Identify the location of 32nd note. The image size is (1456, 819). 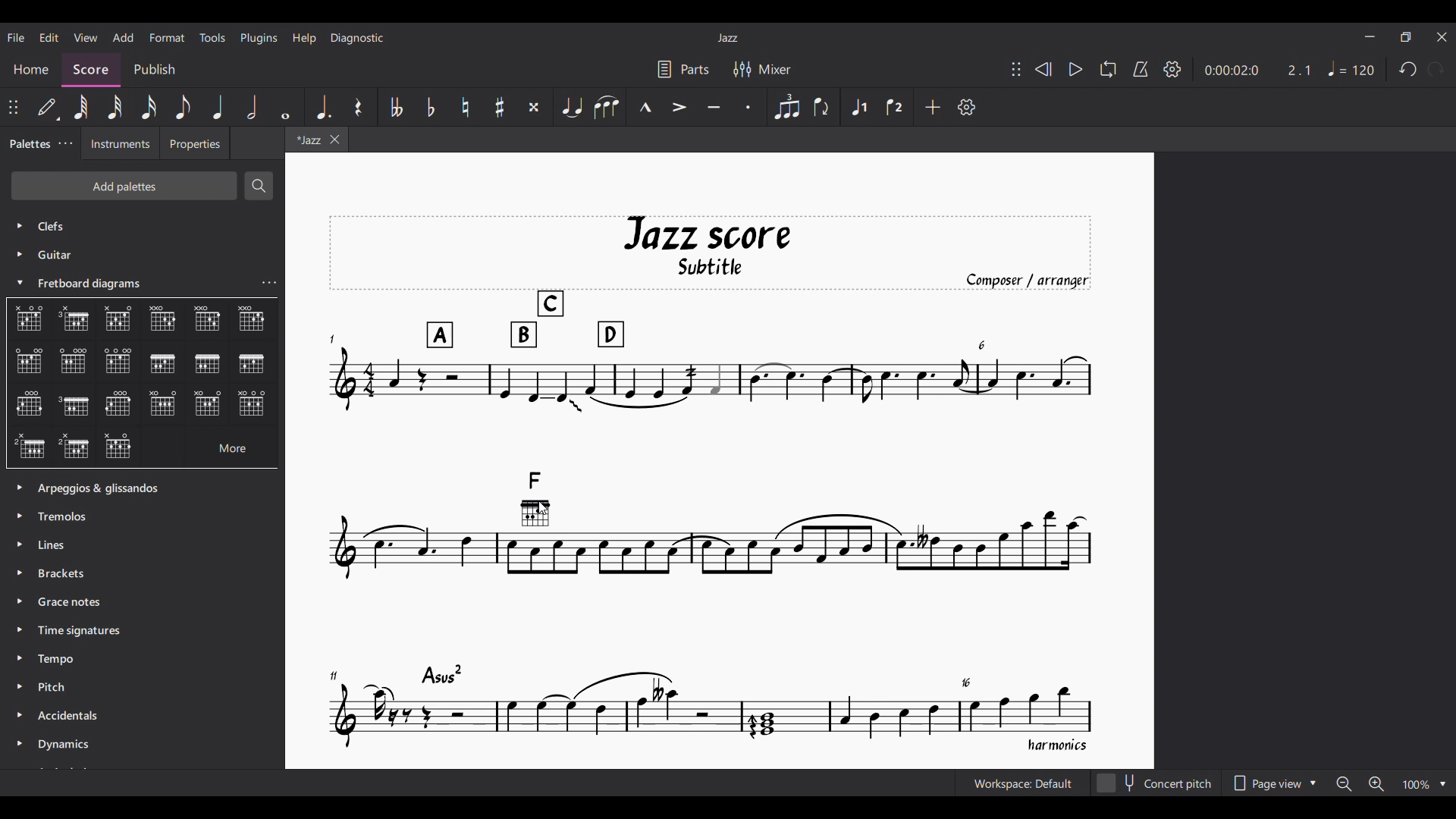
(115, 107).